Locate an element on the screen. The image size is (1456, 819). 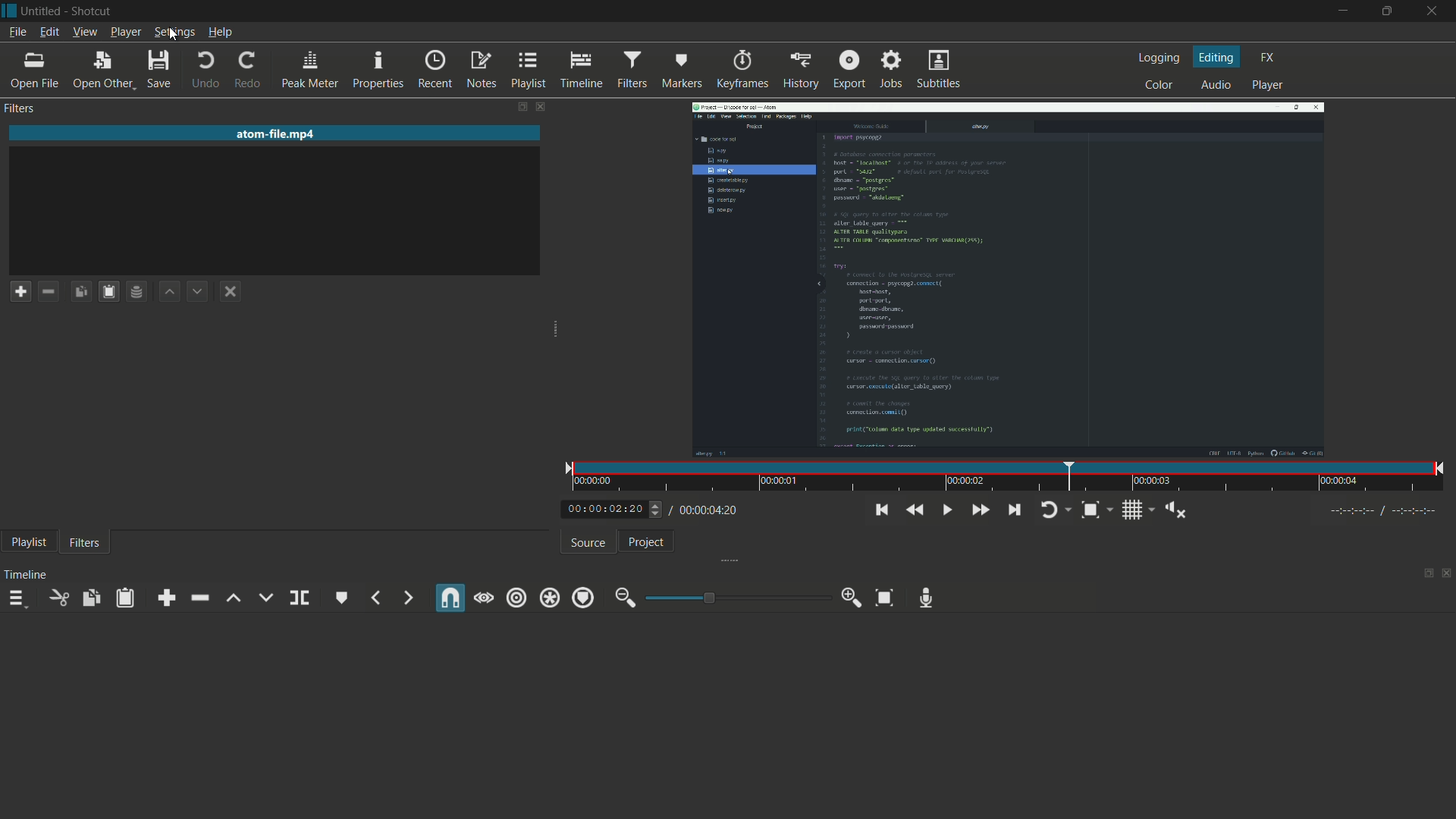
paste filters is located at coordinates (108, 290).